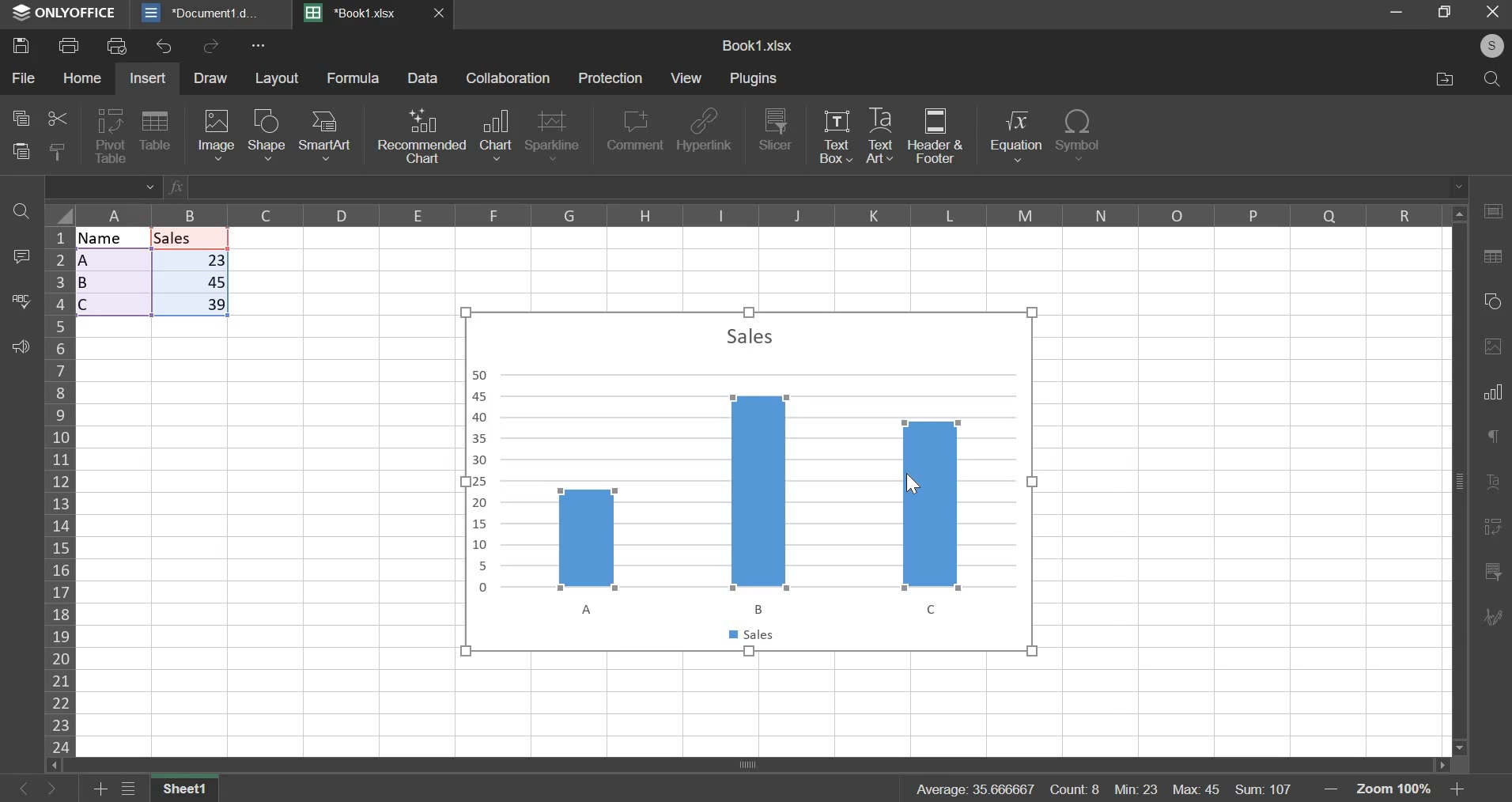  What do you see at coordinates (833, 187) in the screenshot?
I see `Enter typing window` at bounding box center [833, 187].